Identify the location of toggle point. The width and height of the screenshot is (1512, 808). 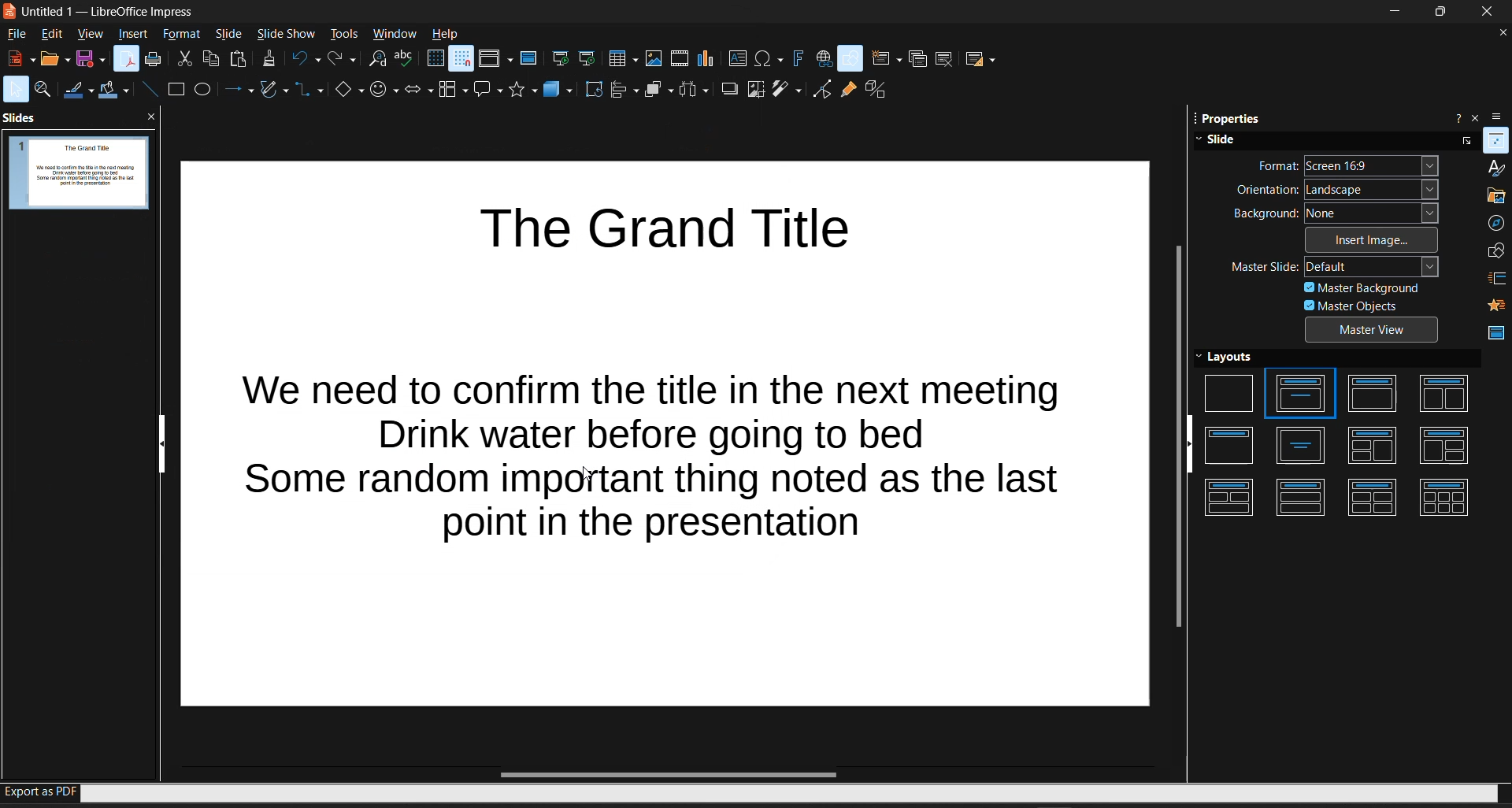
(822, 90).